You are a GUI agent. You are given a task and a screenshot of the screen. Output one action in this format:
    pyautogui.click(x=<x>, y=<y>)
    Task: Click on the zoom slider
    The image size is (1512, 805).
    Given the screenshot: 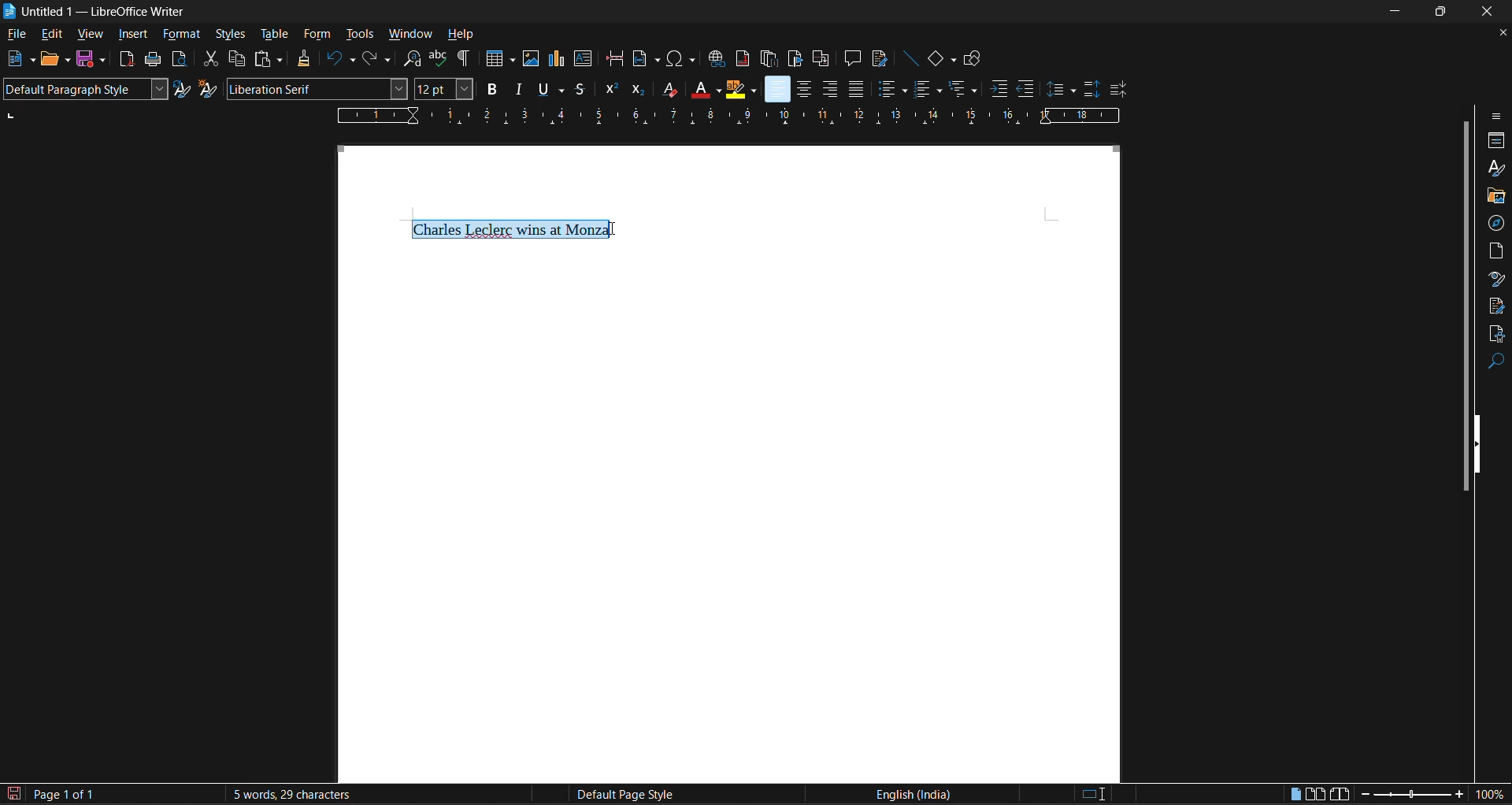 What is the action you would take?
    pyautogui.click(x=1411, y=796)
    